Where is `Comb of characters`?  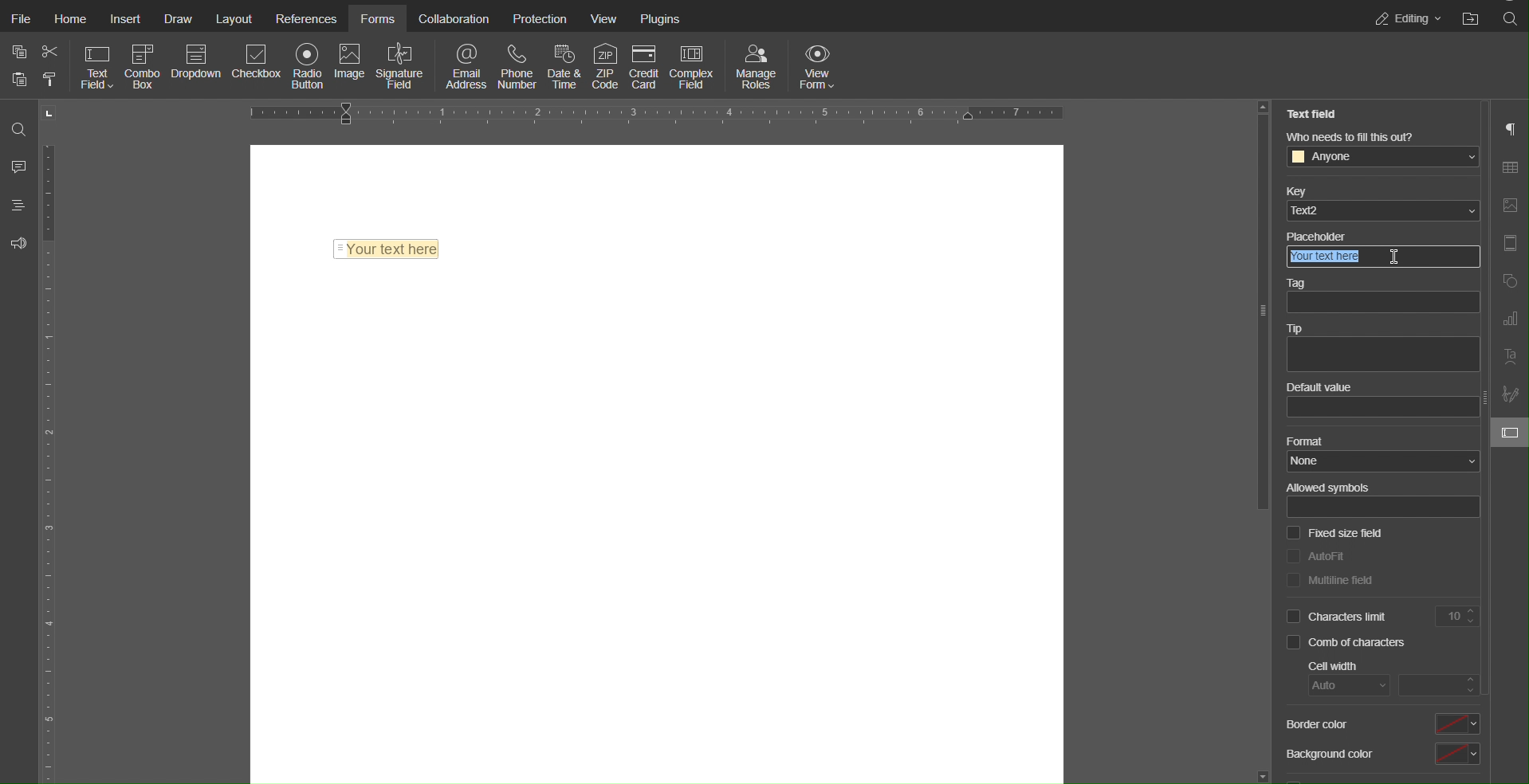
Comb of characters is located at coordinates (1346, 643).